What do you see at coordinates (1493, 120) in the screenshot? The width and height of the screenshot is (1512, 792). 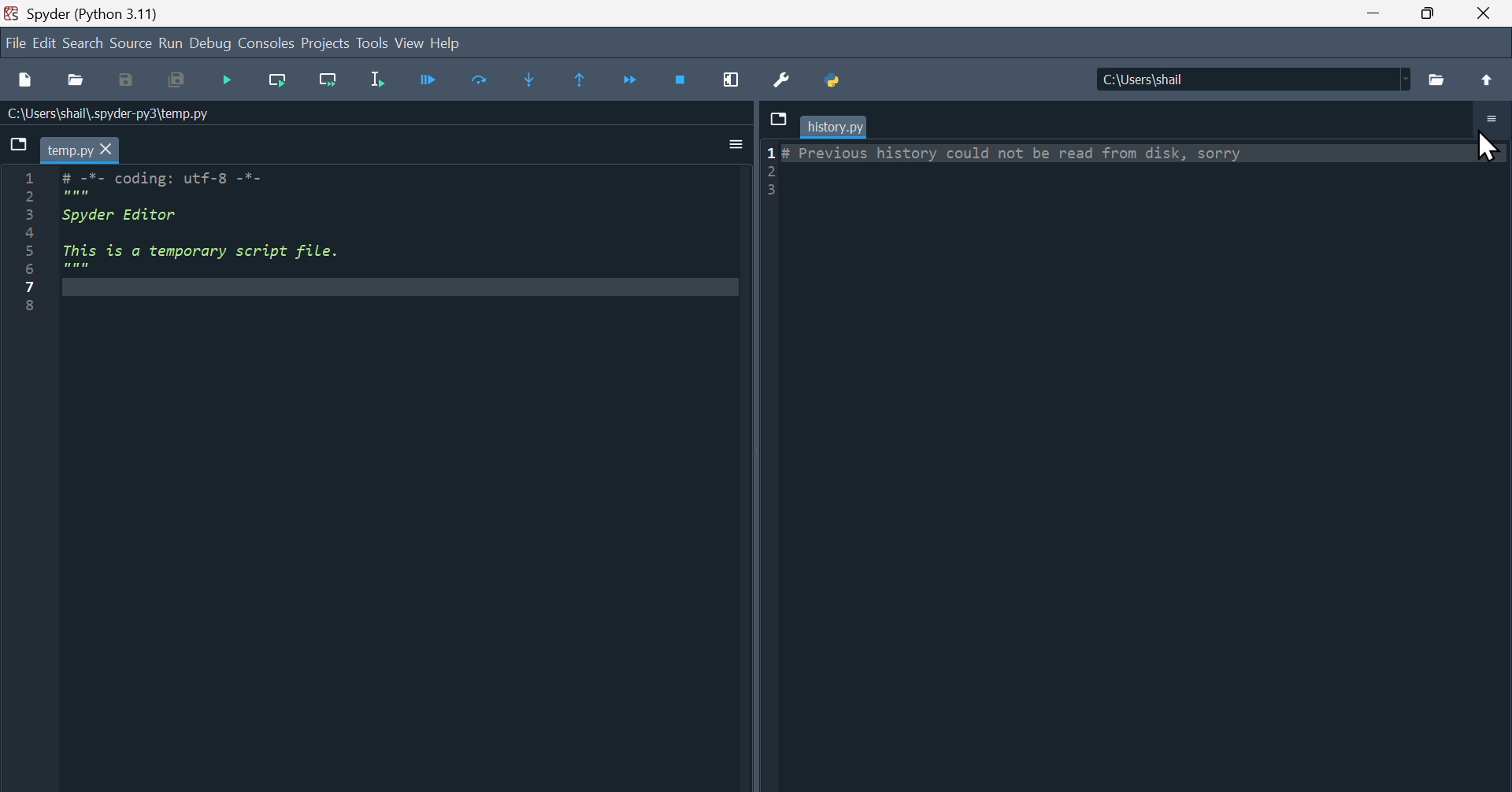 I see `Options` at bounding box center [1493, 120].